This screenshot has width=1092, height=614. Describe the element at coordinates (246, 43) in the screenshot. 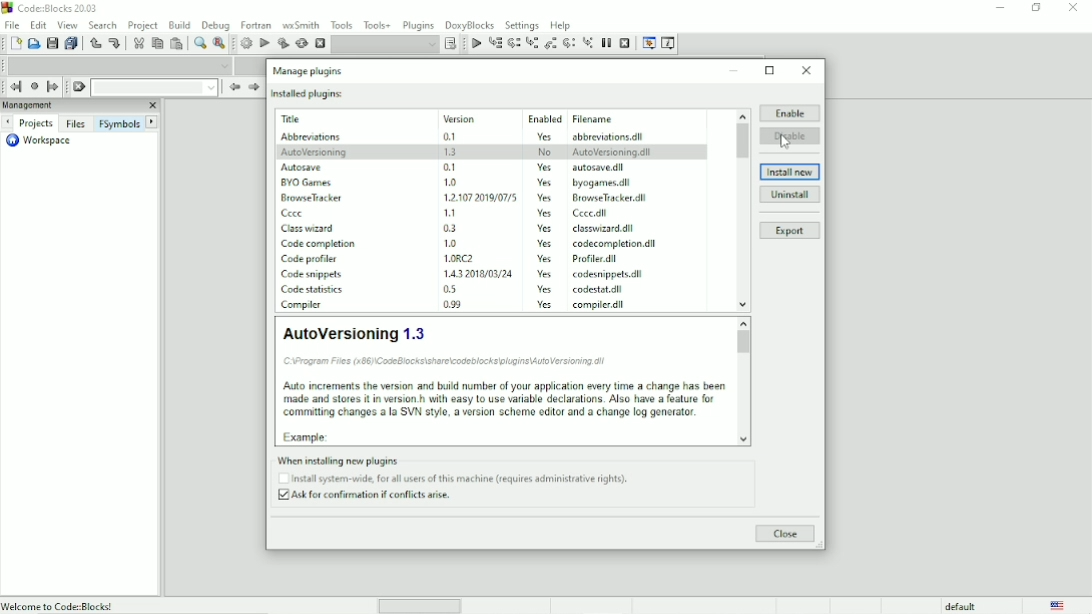

I see `Build` at that location.